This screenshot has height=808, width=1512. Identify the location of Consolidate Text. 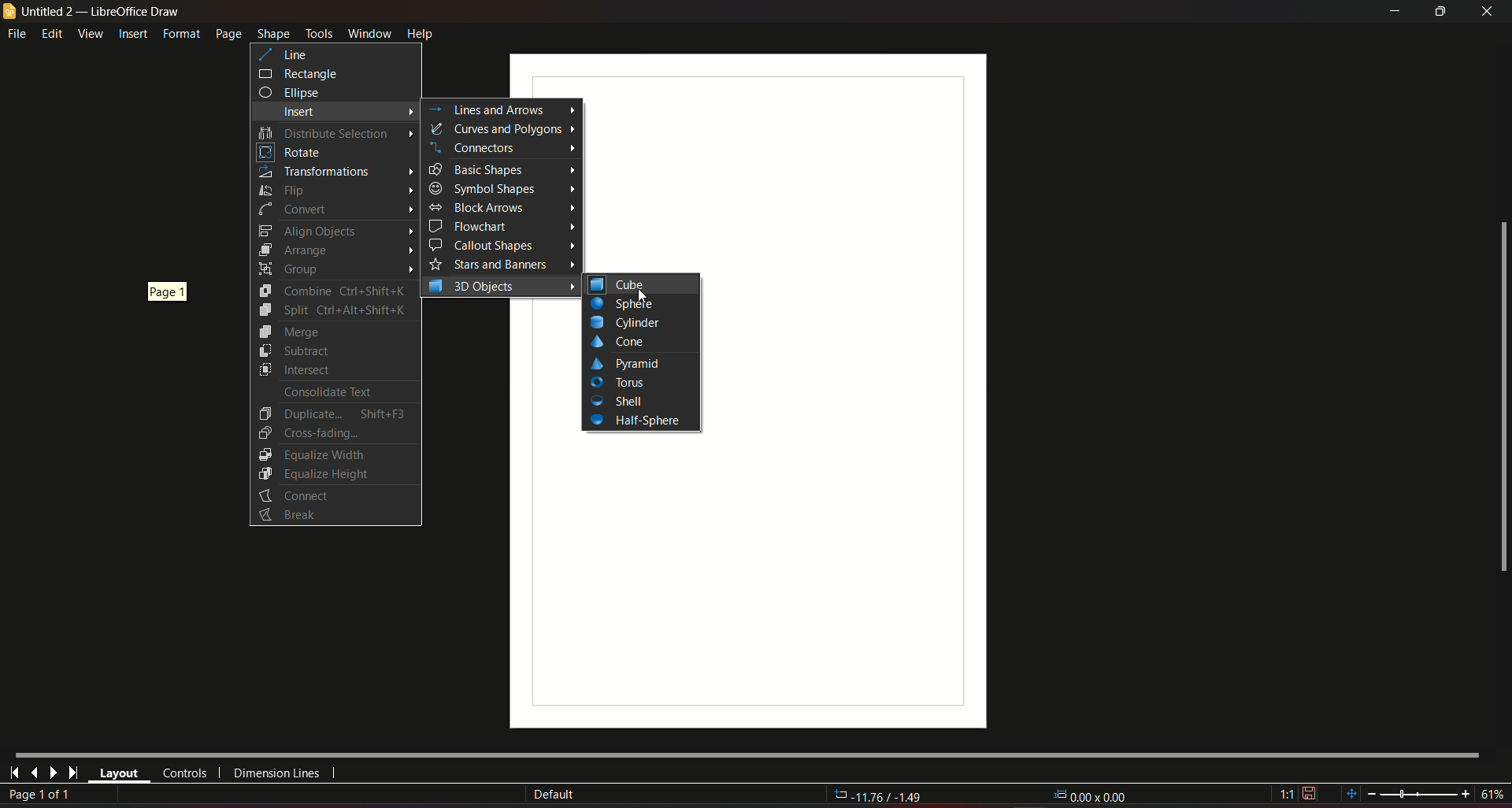
(332, 392).